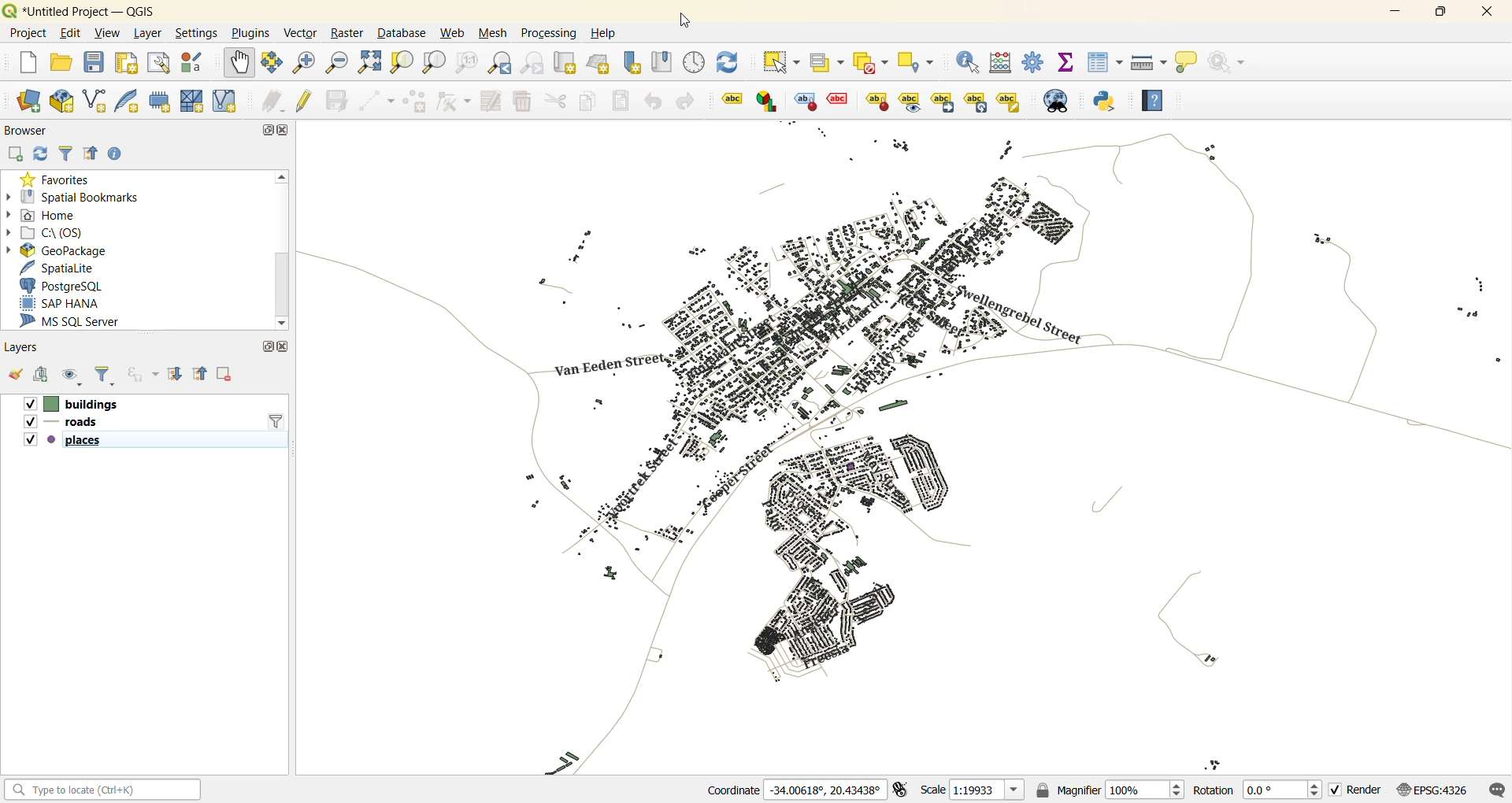 This screenshot has height=803, width=1512. What do you see at coordinates (1232, 62) in the screenshot?
I see `no action` at bounding box center [1232, 62].